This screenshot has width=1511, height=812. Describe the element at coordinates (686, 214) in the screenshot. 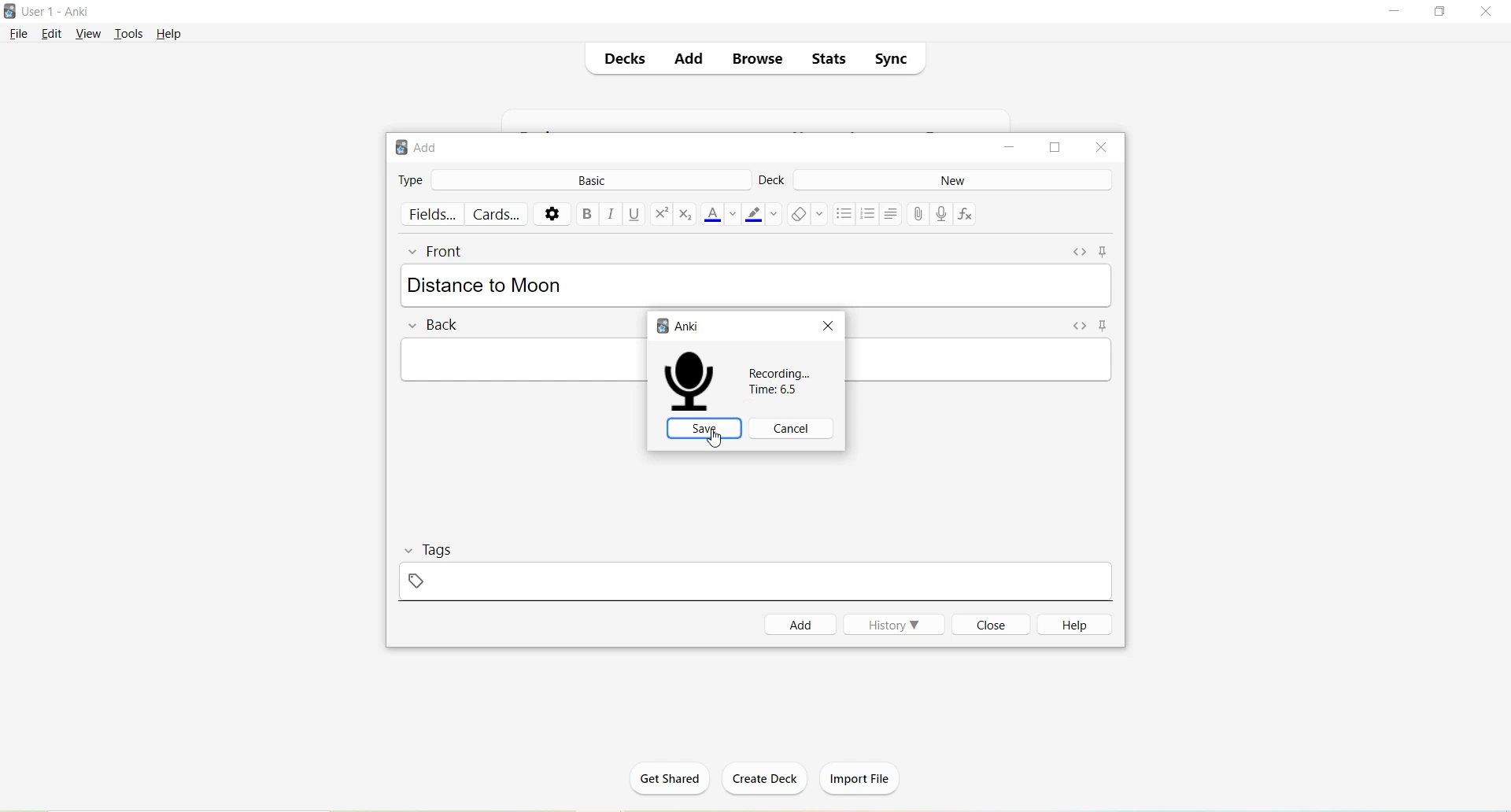

I see `Subscript` at that location.